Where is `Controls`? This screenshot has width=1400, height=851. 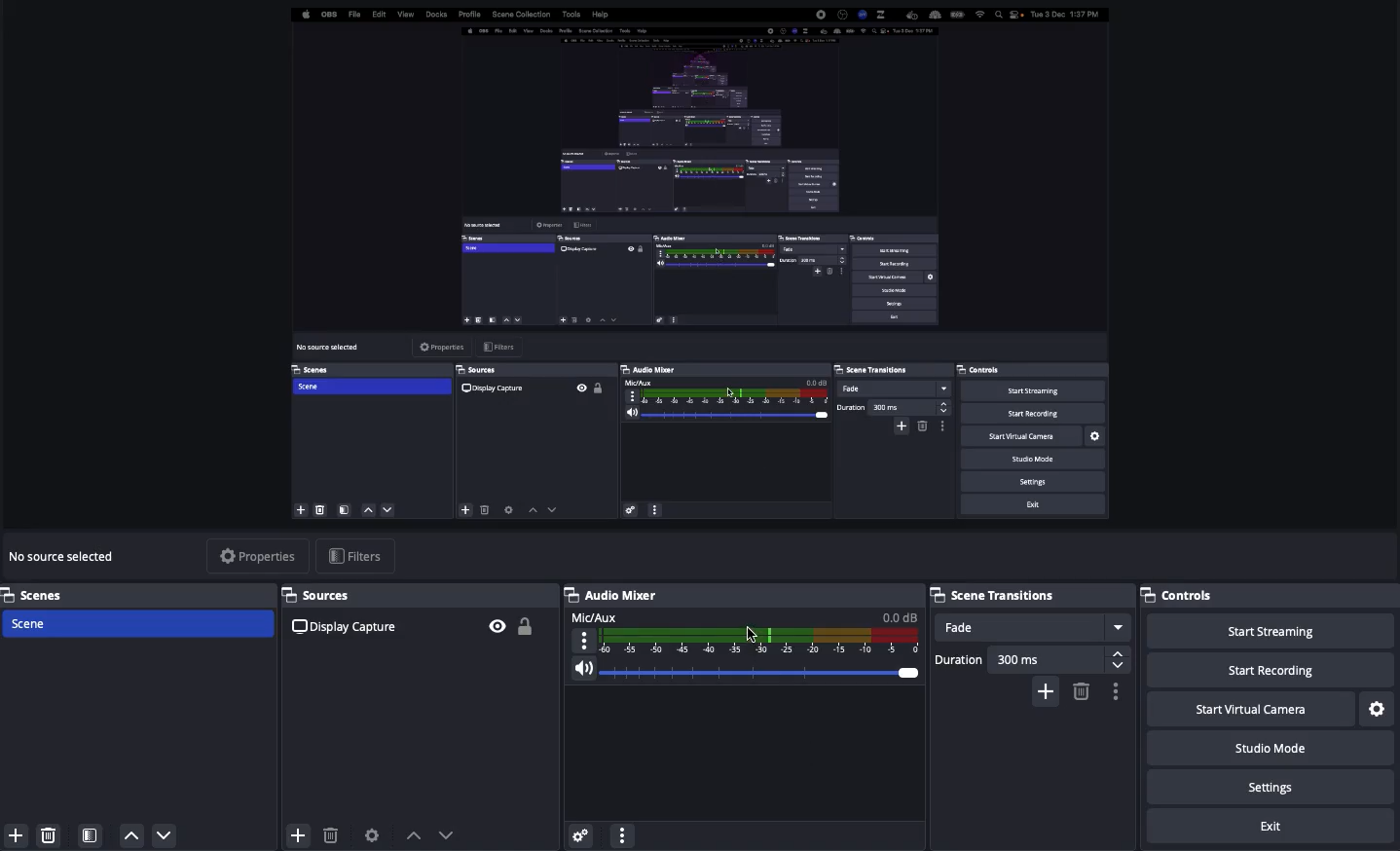 Controls is located at coordinates (1185, 595).